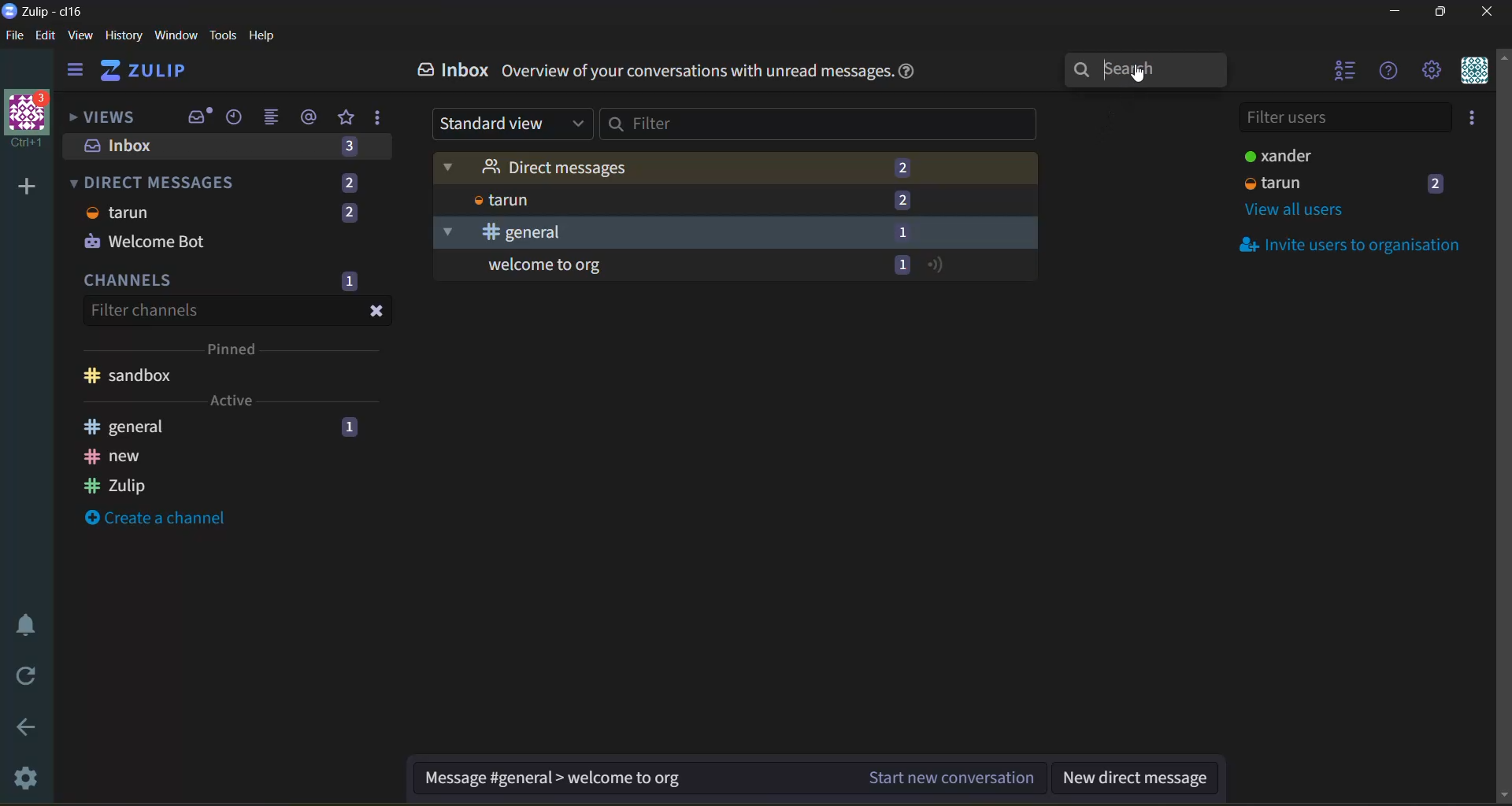 The height and width of the screenshot is (806, 1512). Describe the element at coordinates (46, 36) in the screenshot. I see `edit` at that location.